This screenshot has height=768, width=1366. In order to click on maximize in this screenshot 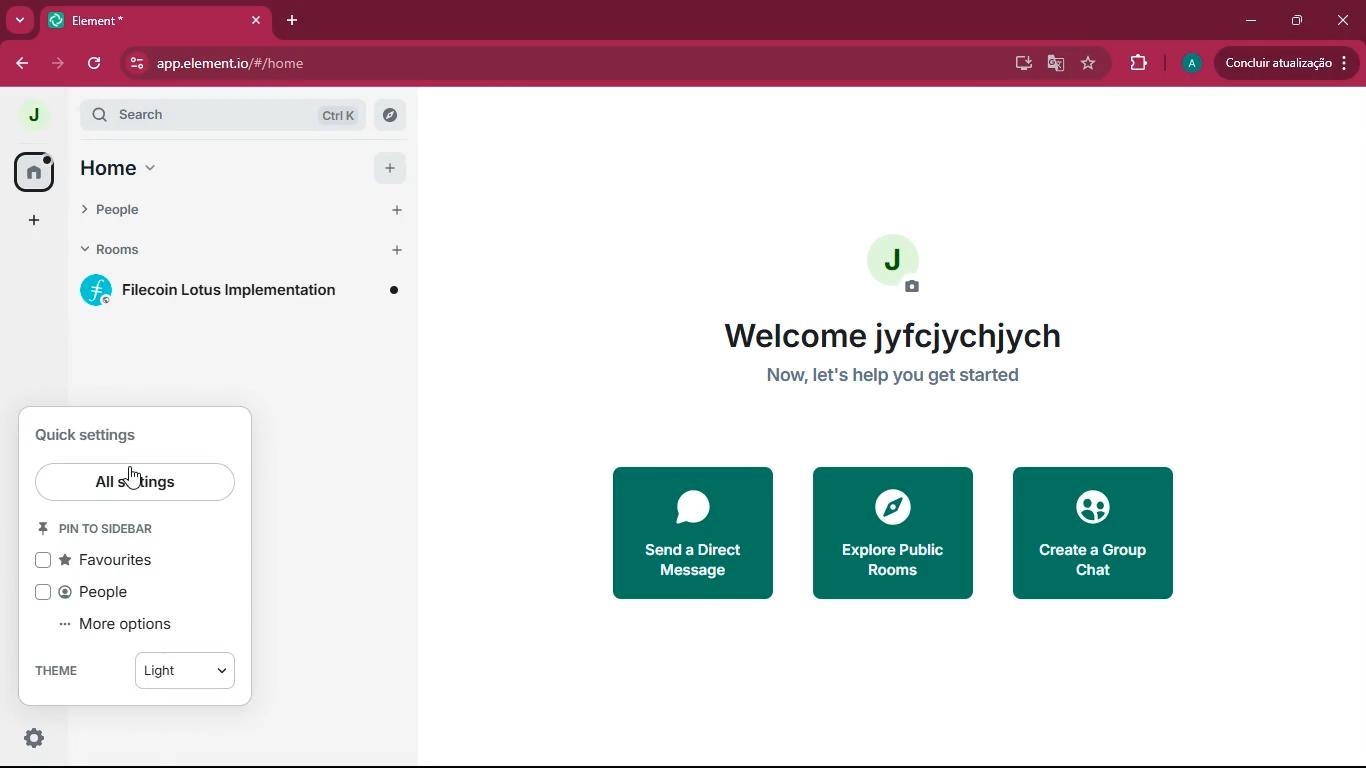, I will do `click(1295, 20)`.